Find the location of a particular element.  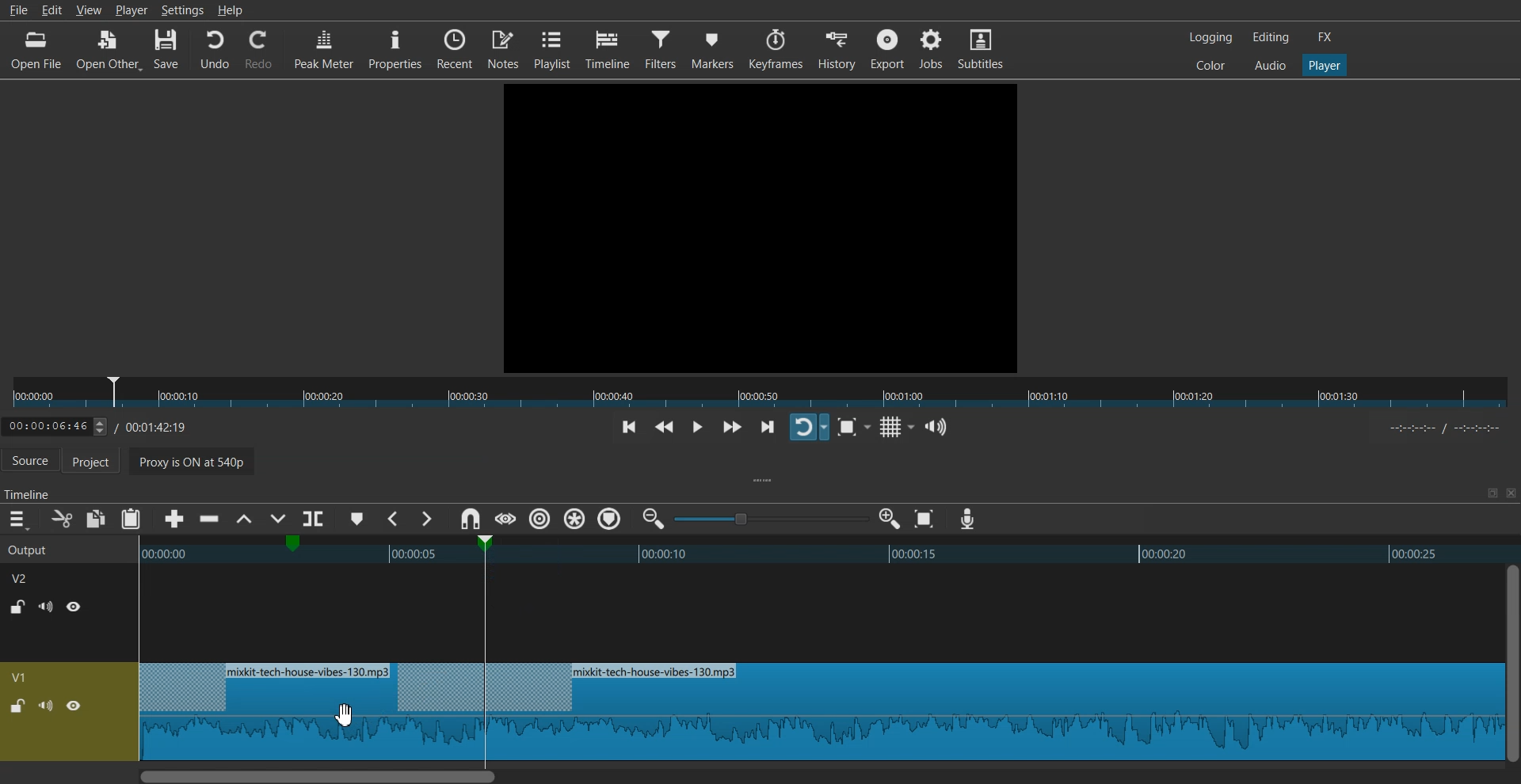

Cursor is located at coordinates (344, 716).